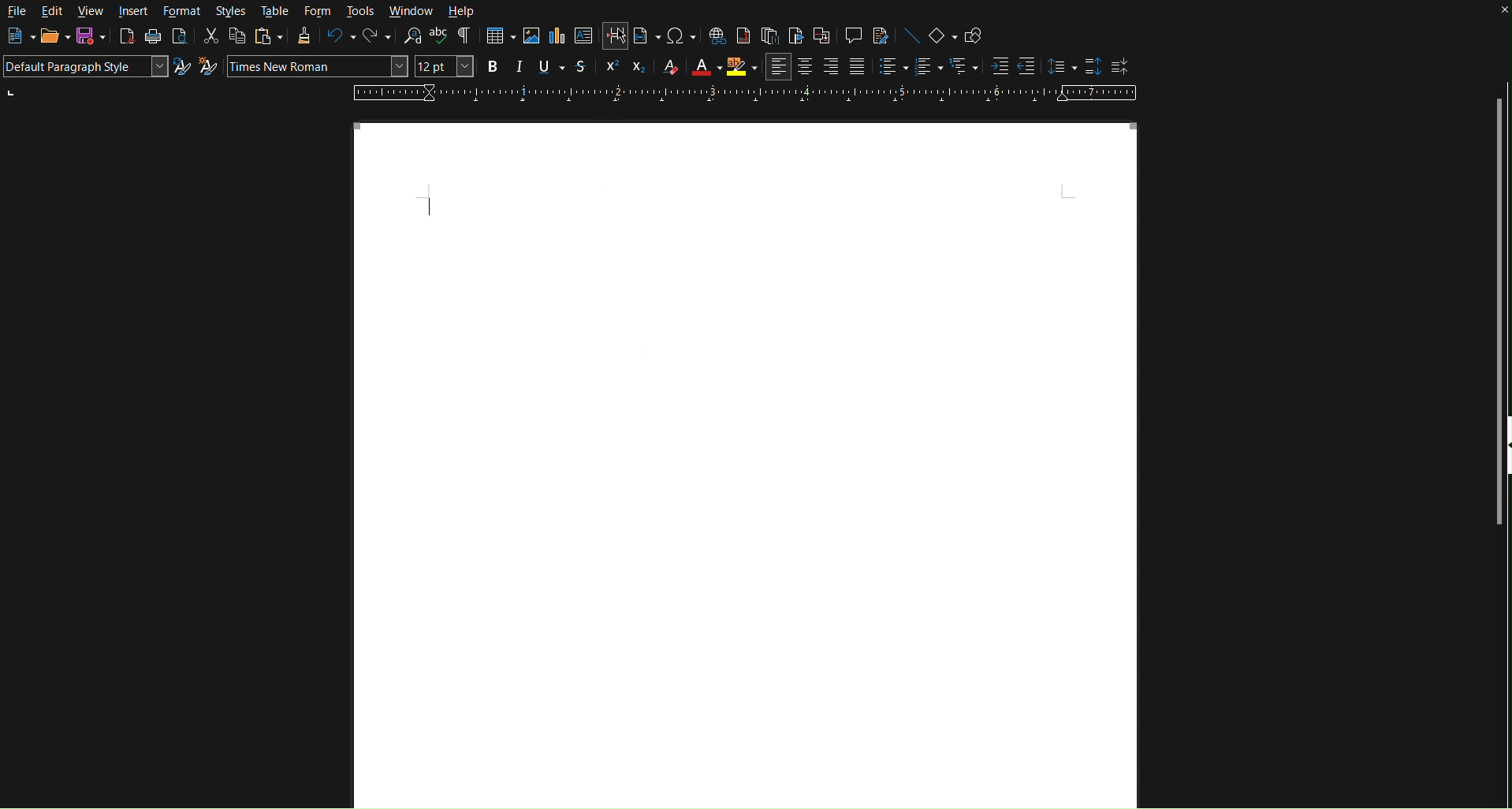 The height and width of the screenshot is (809, 1512). What do you see at coordinates (1503, 457) in the screenshot?
I see `Show` at bounding box center [1503, 457].